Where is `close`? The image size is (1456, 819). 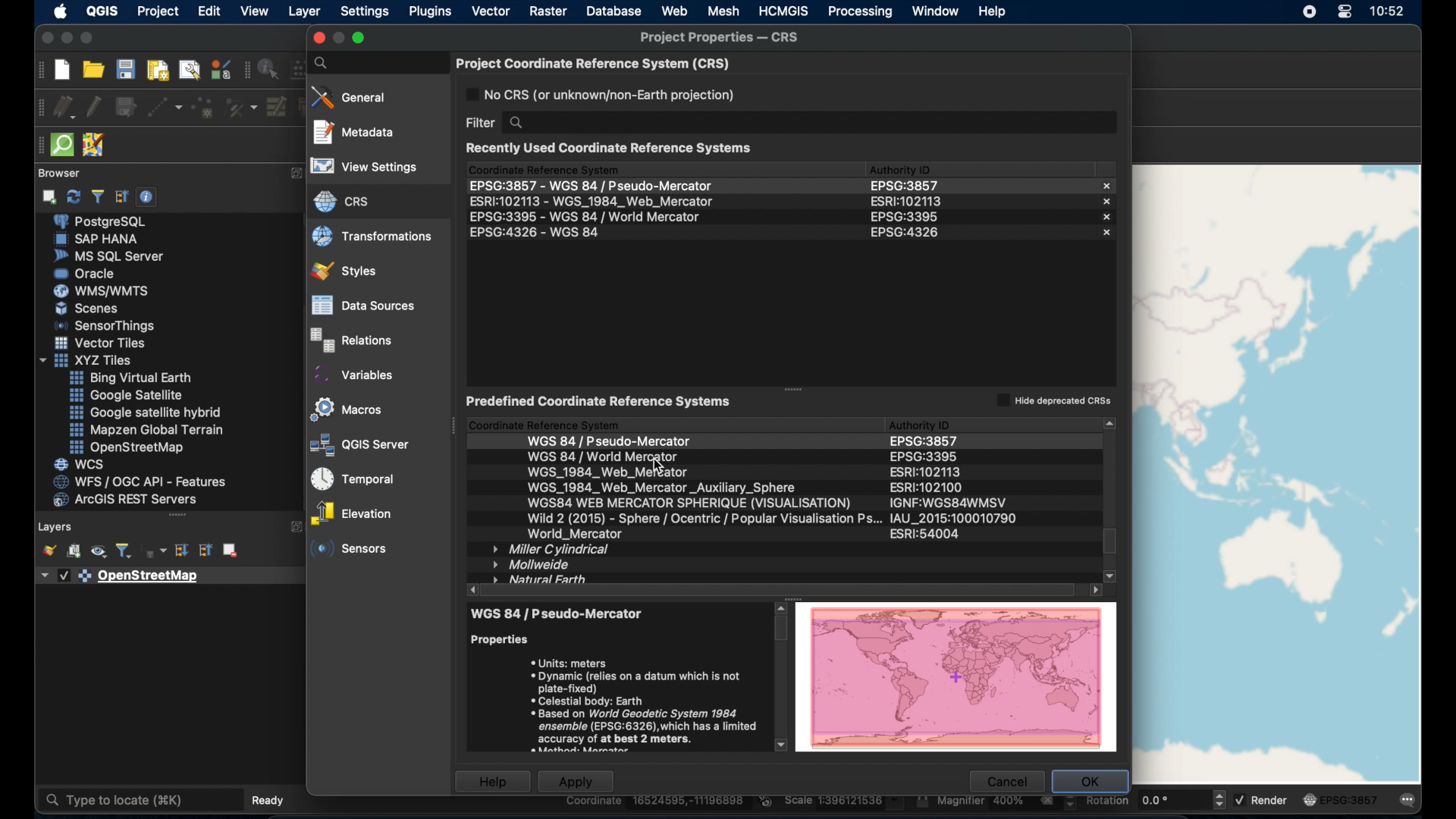 close is located at coordinates (1106, 217).